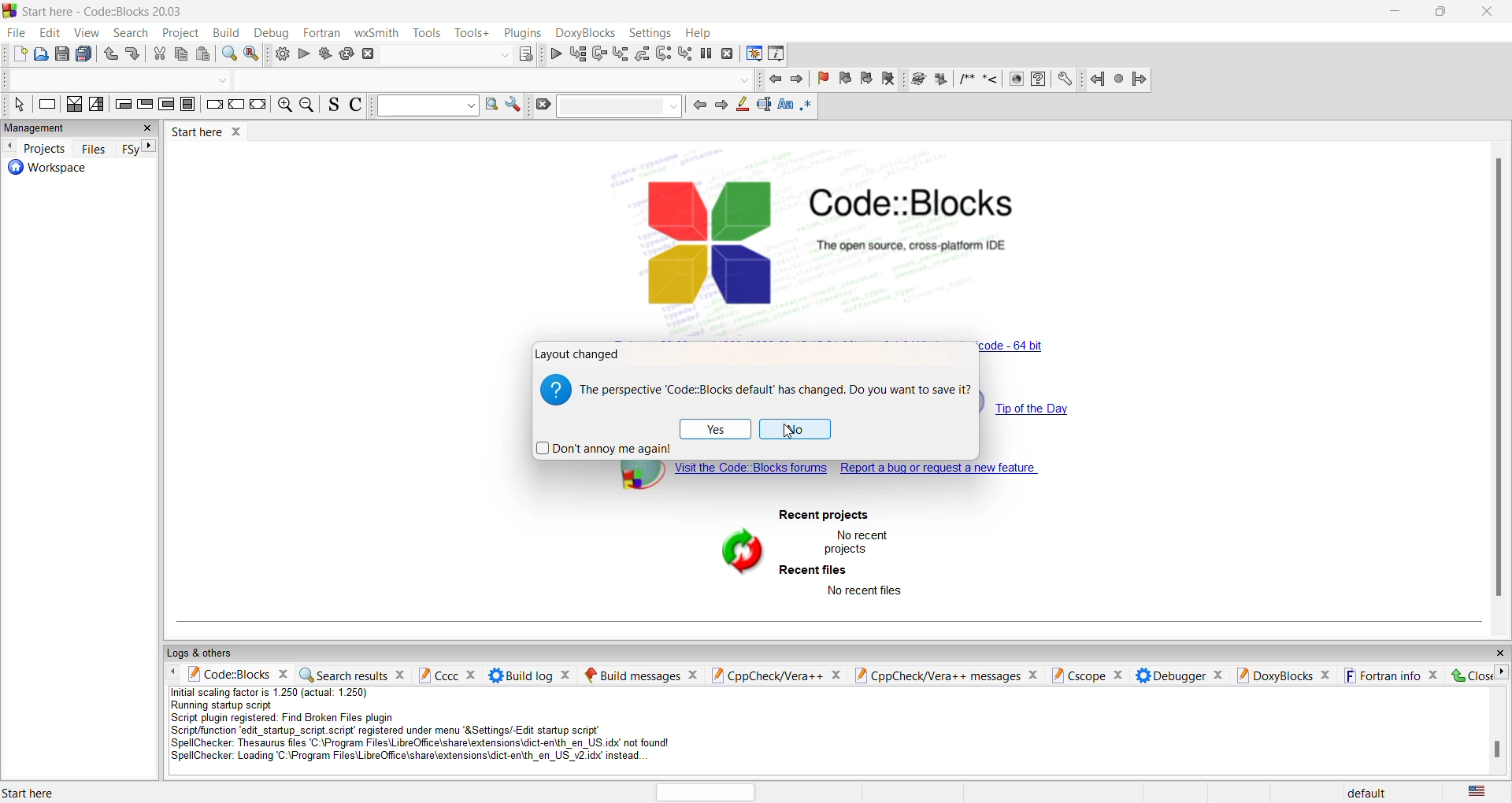 Image resolution: width=1512 pixels, height=803 pixels. What do you see at coordinates (237, 103) in the screenshot?
I see `continue instruction` at bounding box center [237, 103].